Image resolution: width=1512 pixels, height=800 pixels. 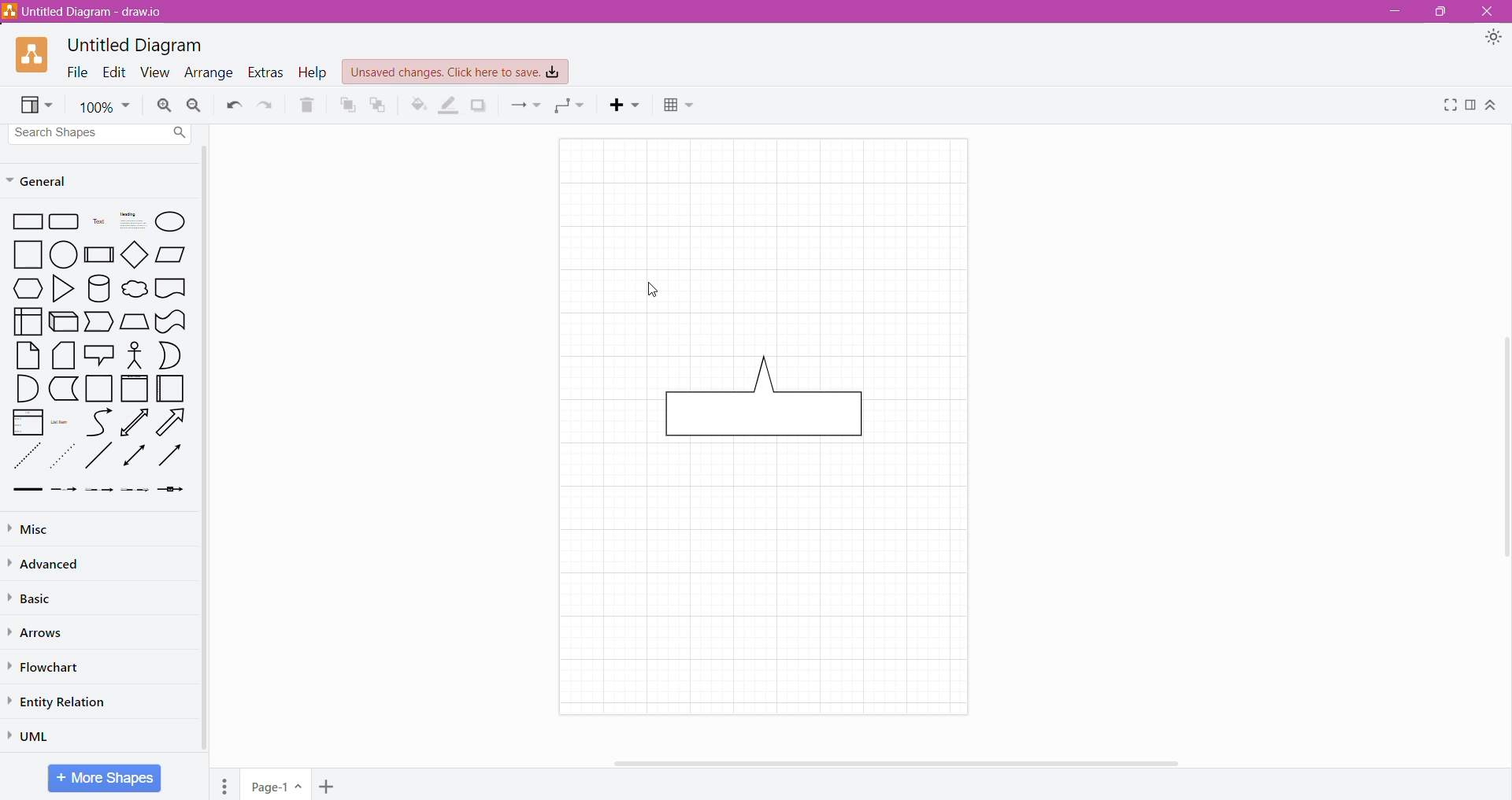 What do you see at coordinates (224, 784) in the screenshot?
I see `Pages` at bounding box center [224, 784].